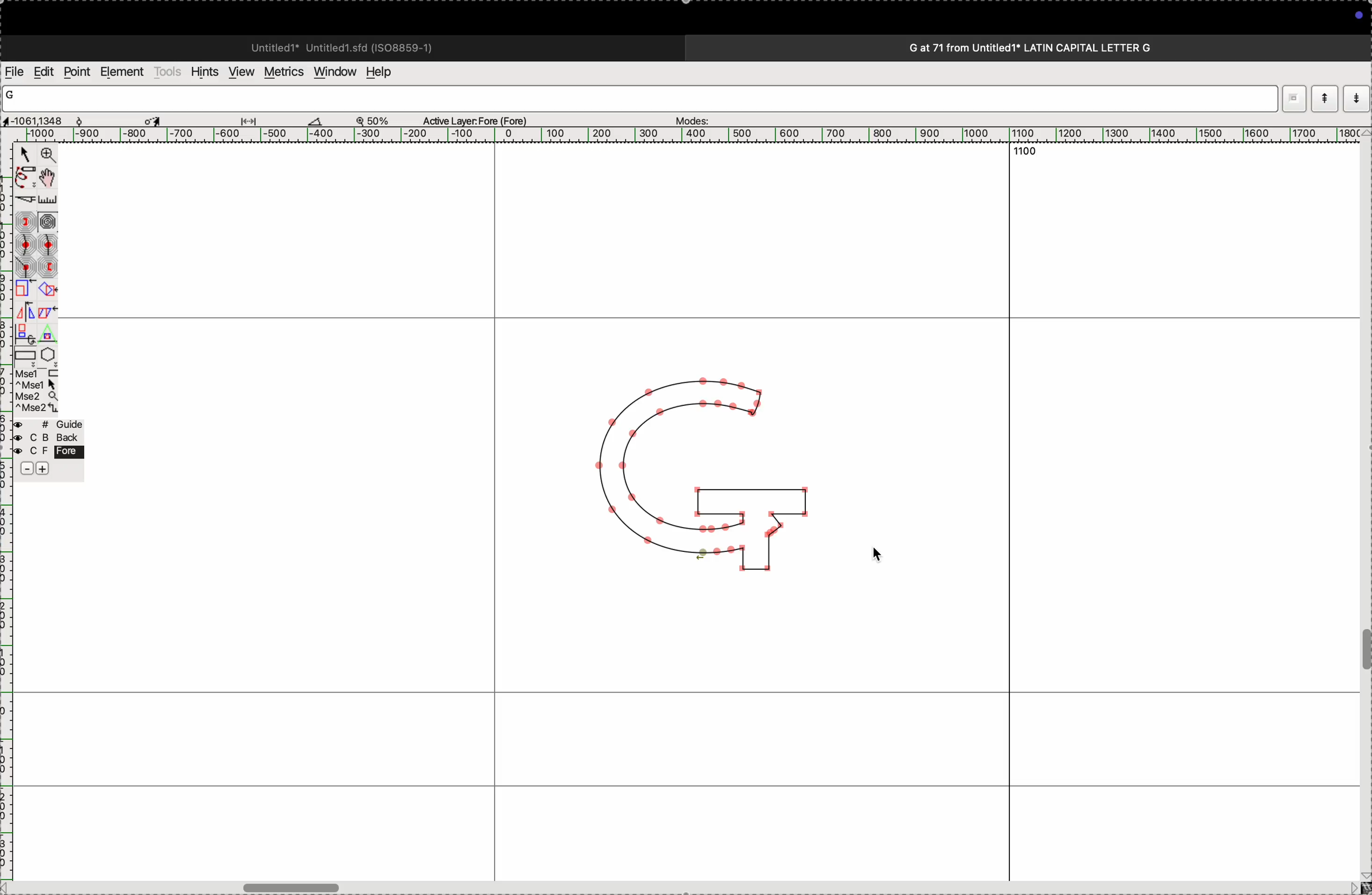  I want to click on left mouse button + Ctrl, so click(36, 385).